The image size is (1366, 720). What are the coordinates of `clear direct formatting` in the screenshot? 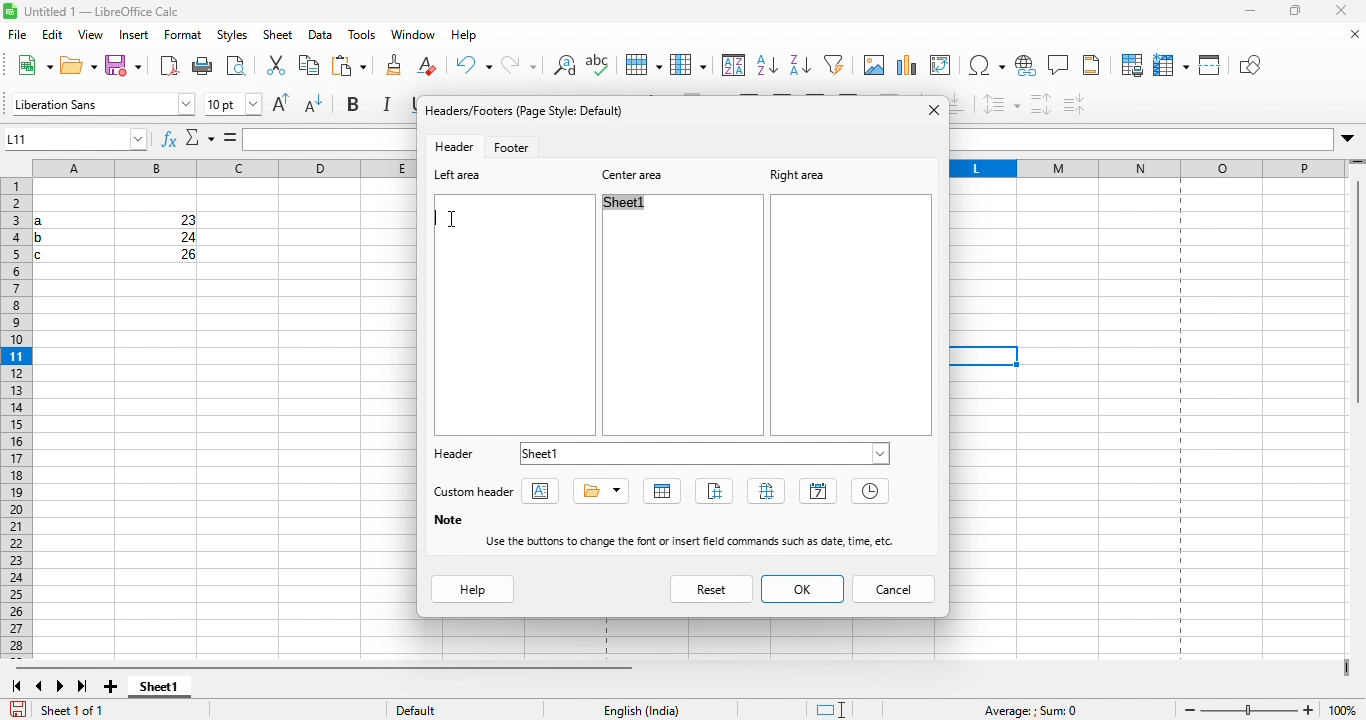 It's located at (397, 65).